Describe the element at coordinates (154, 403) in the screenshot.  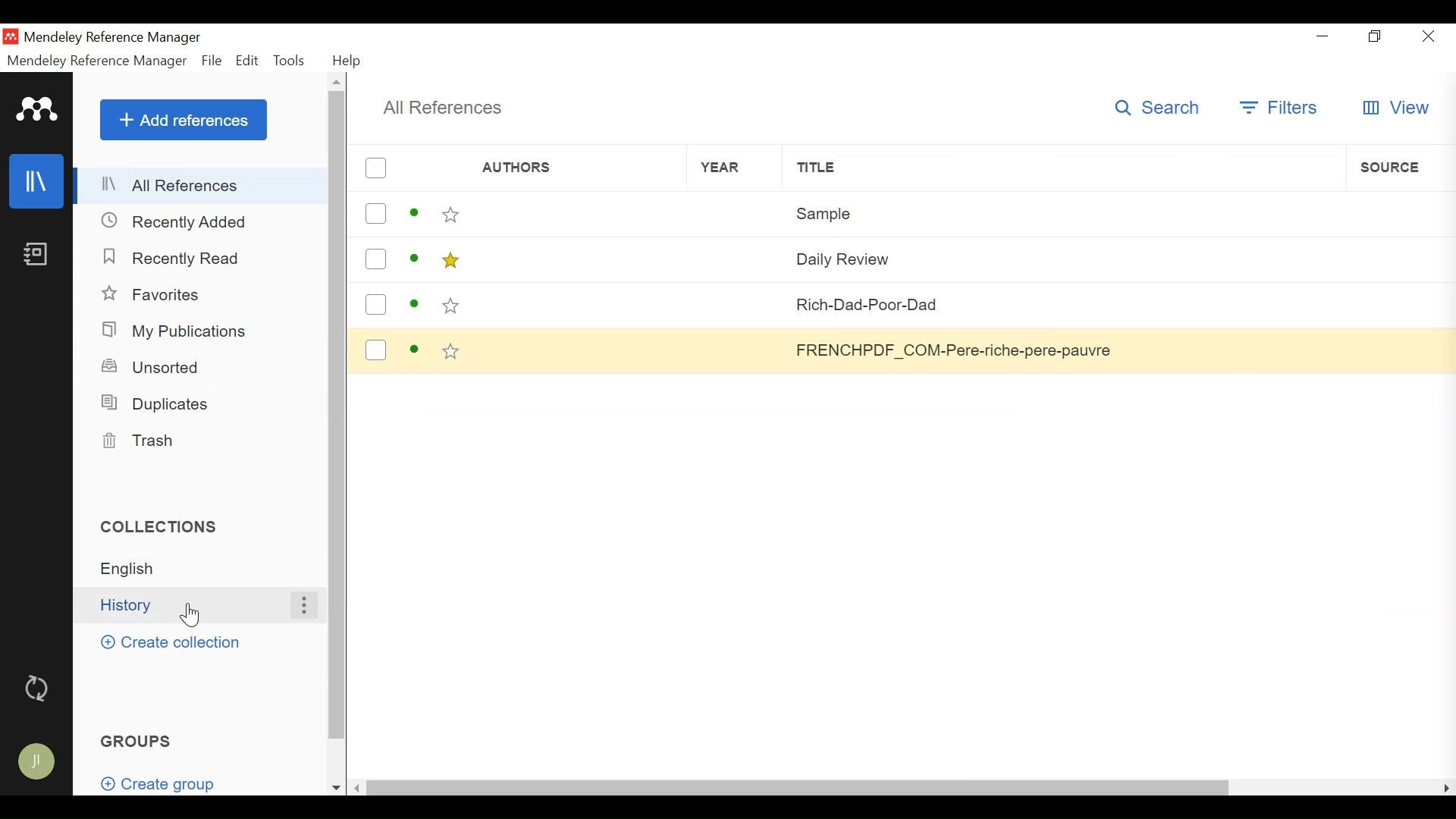
I see `Duplicates` at that location.